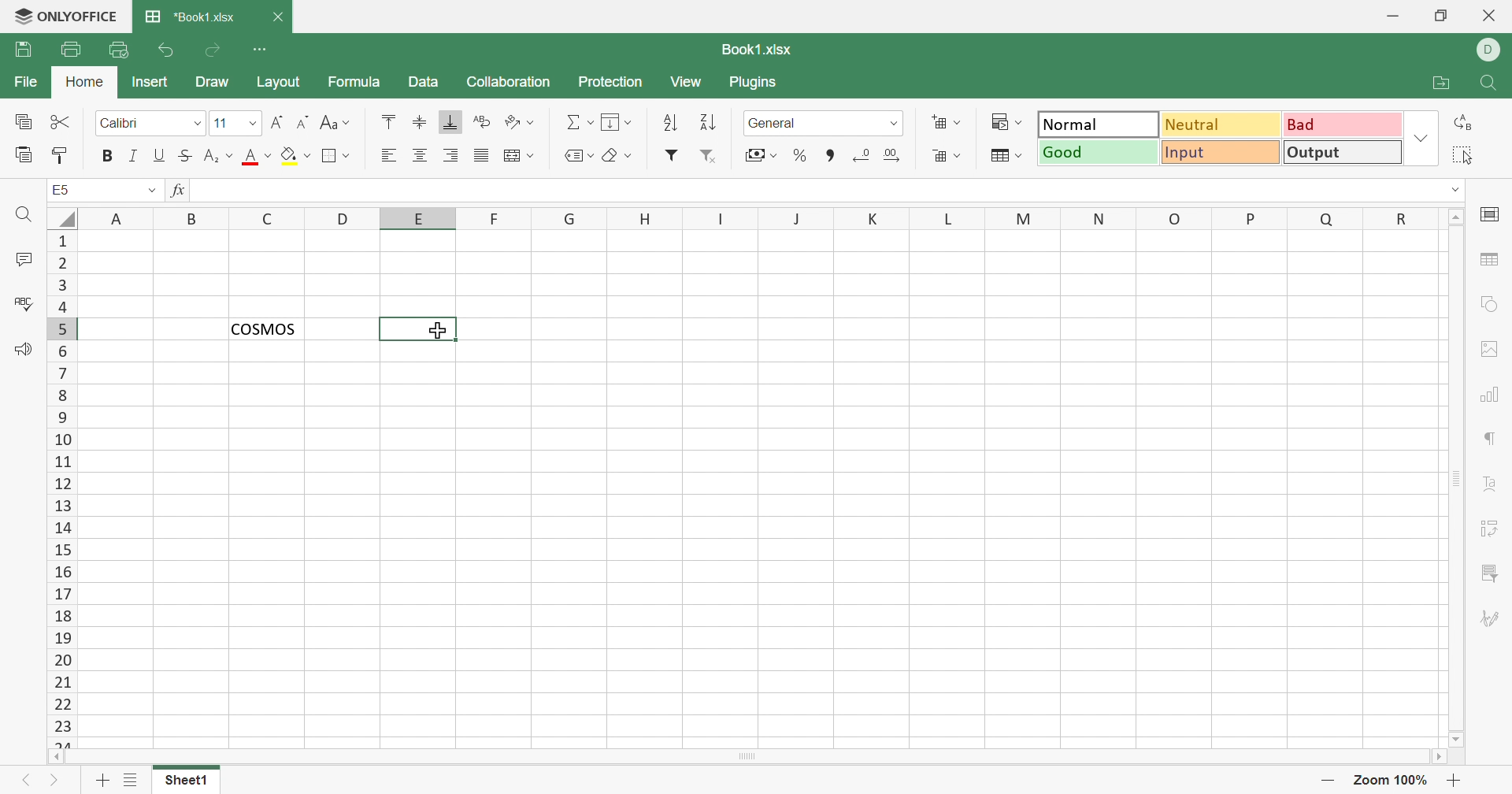  What do you see at coordinates (801, 156) in the screenshot?
I see `Percent style` at bounding box center [801, 156].